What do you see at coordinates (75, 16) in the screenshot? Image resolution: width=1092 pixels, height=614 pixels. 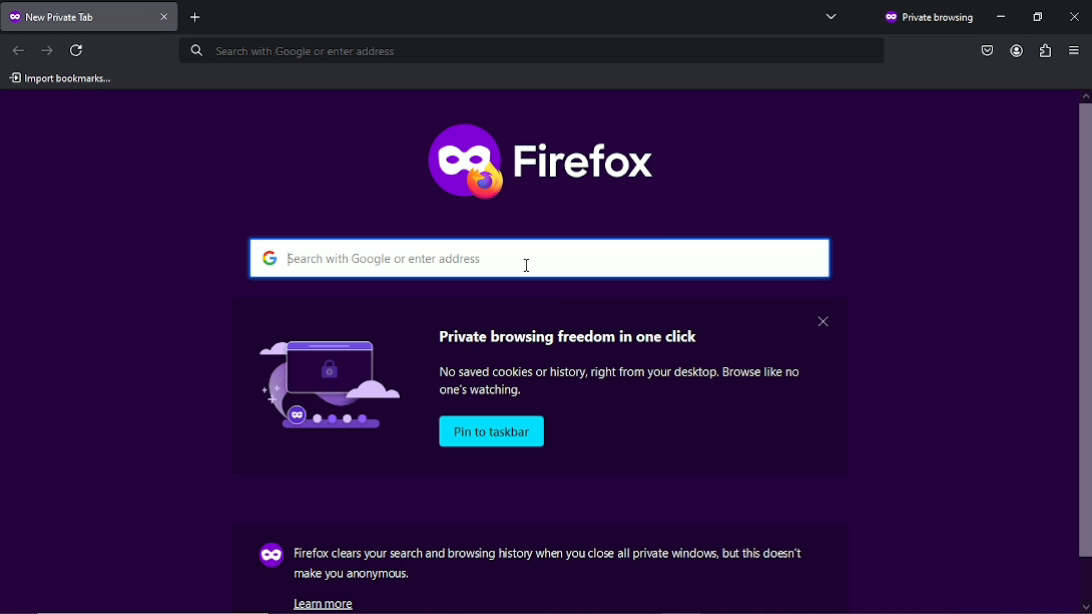 I see `New Private Tab` at bounding box center [75, 16].